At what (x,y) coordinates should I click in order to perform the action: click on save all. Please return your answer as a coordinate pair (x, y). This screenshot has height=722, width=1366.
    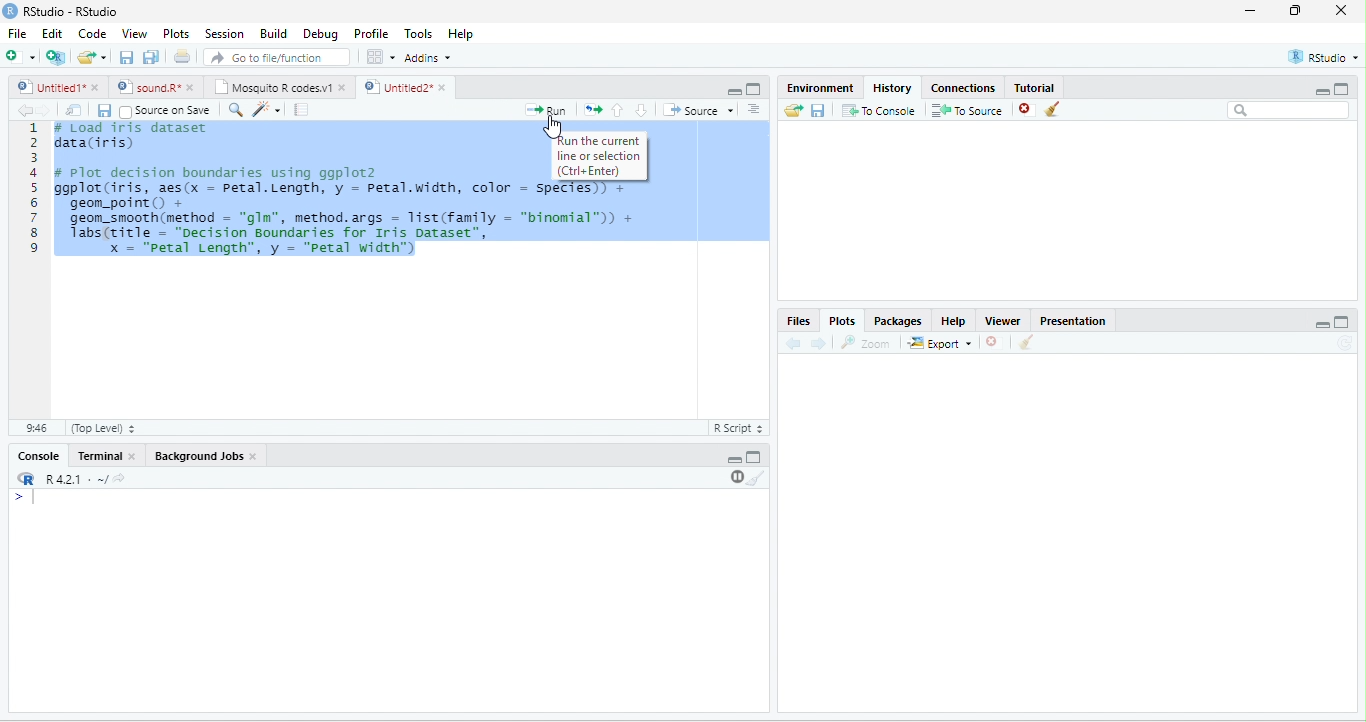
    Looking at the image, I should click on (150, 57).